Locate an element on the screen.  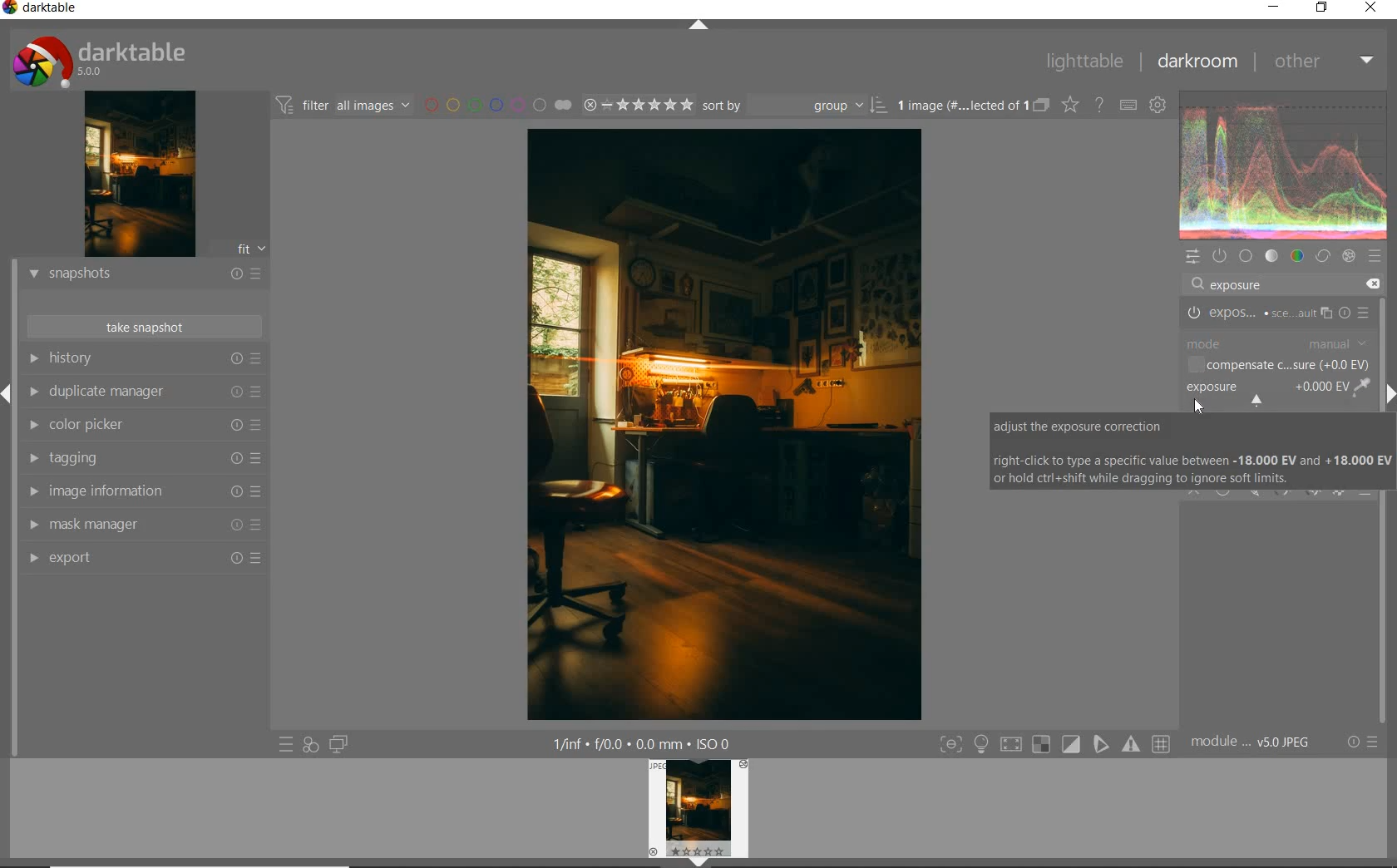
color picker is located at coordinates (141, 423).